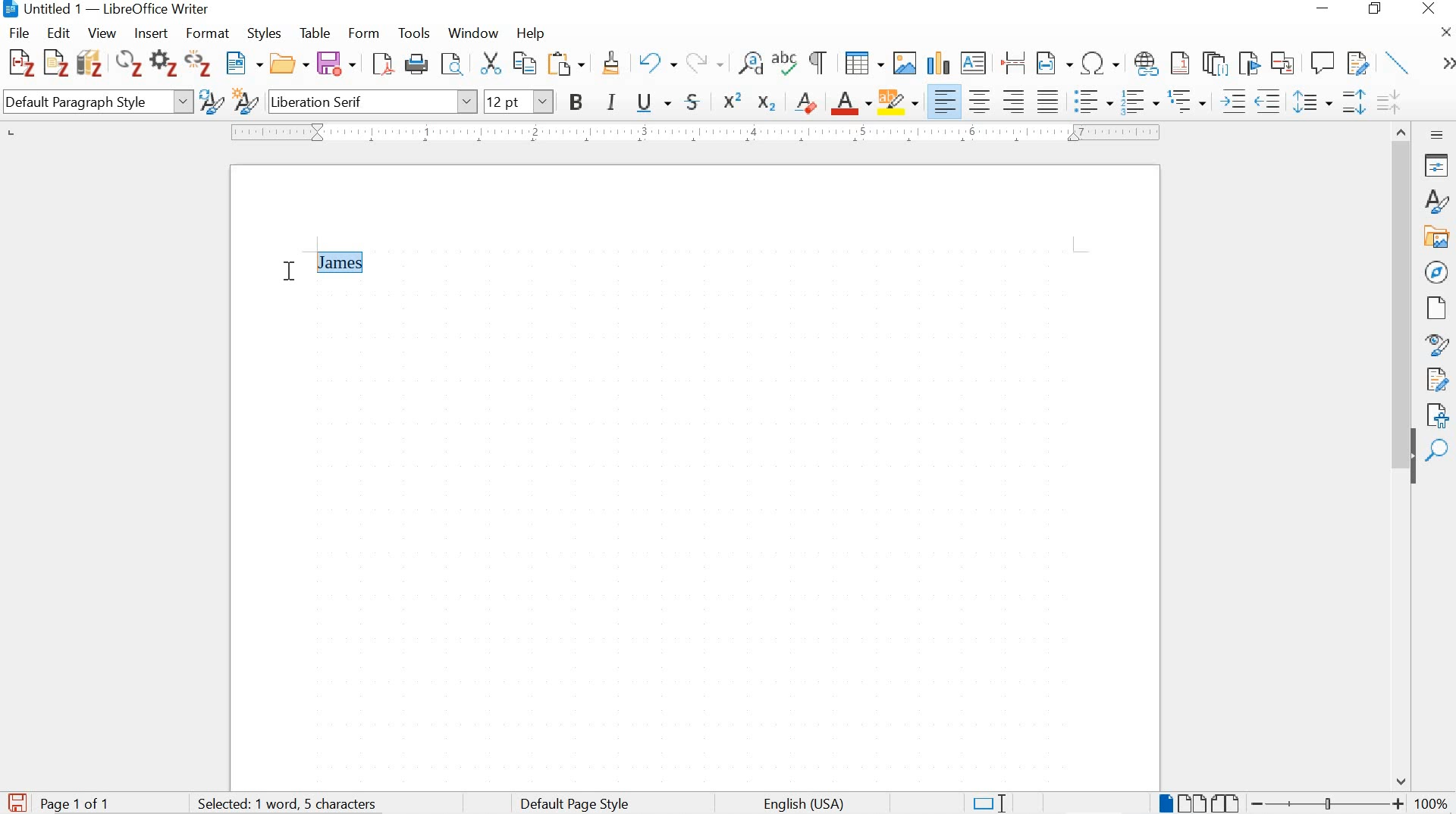 The image size is (1456, 814). Describe the element at coordinates (315, 33) in the screenshot. I see `table` at that location.